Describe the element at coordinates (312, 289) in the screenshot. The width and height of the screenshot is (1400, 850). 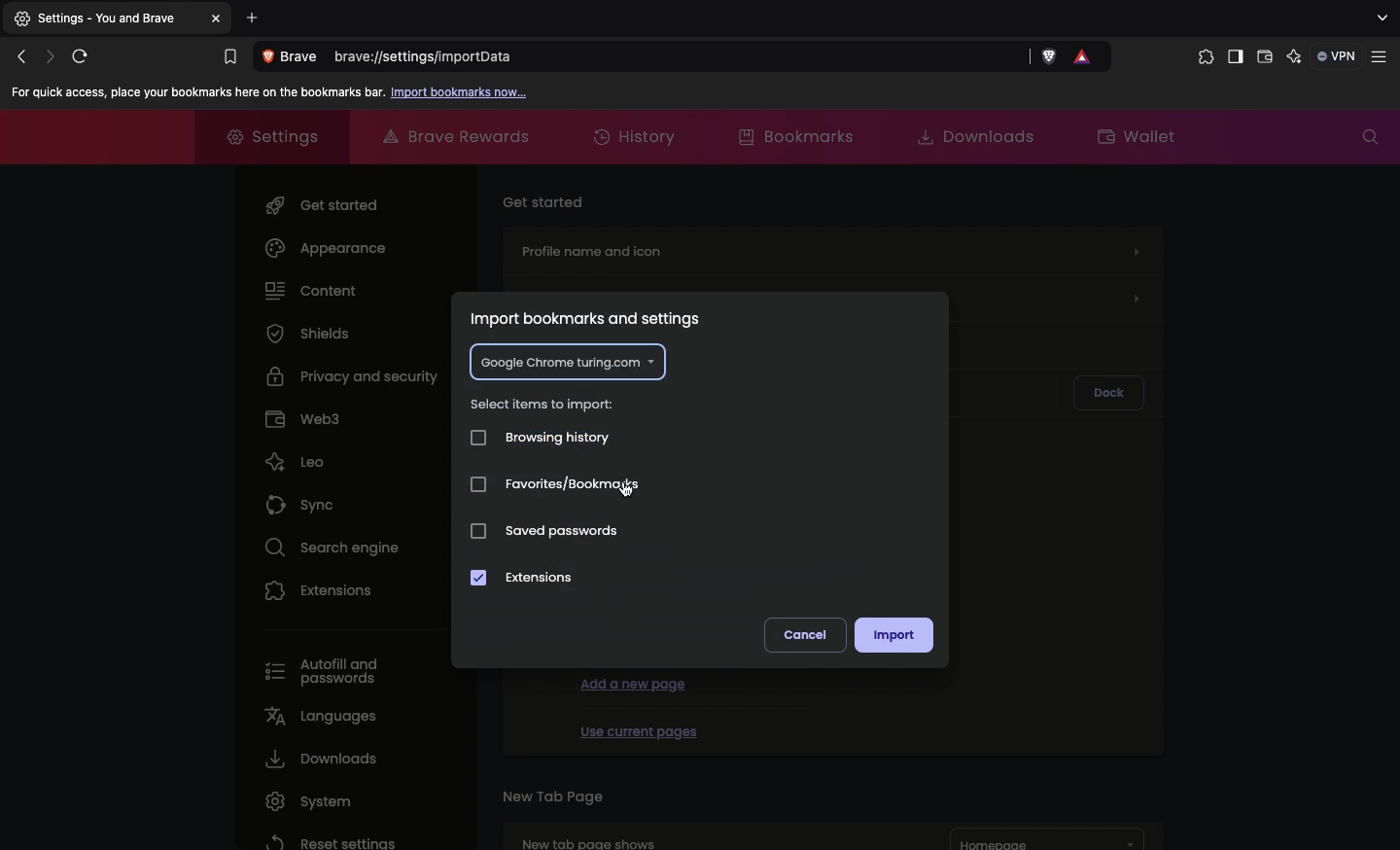
I see `Content` at that location.